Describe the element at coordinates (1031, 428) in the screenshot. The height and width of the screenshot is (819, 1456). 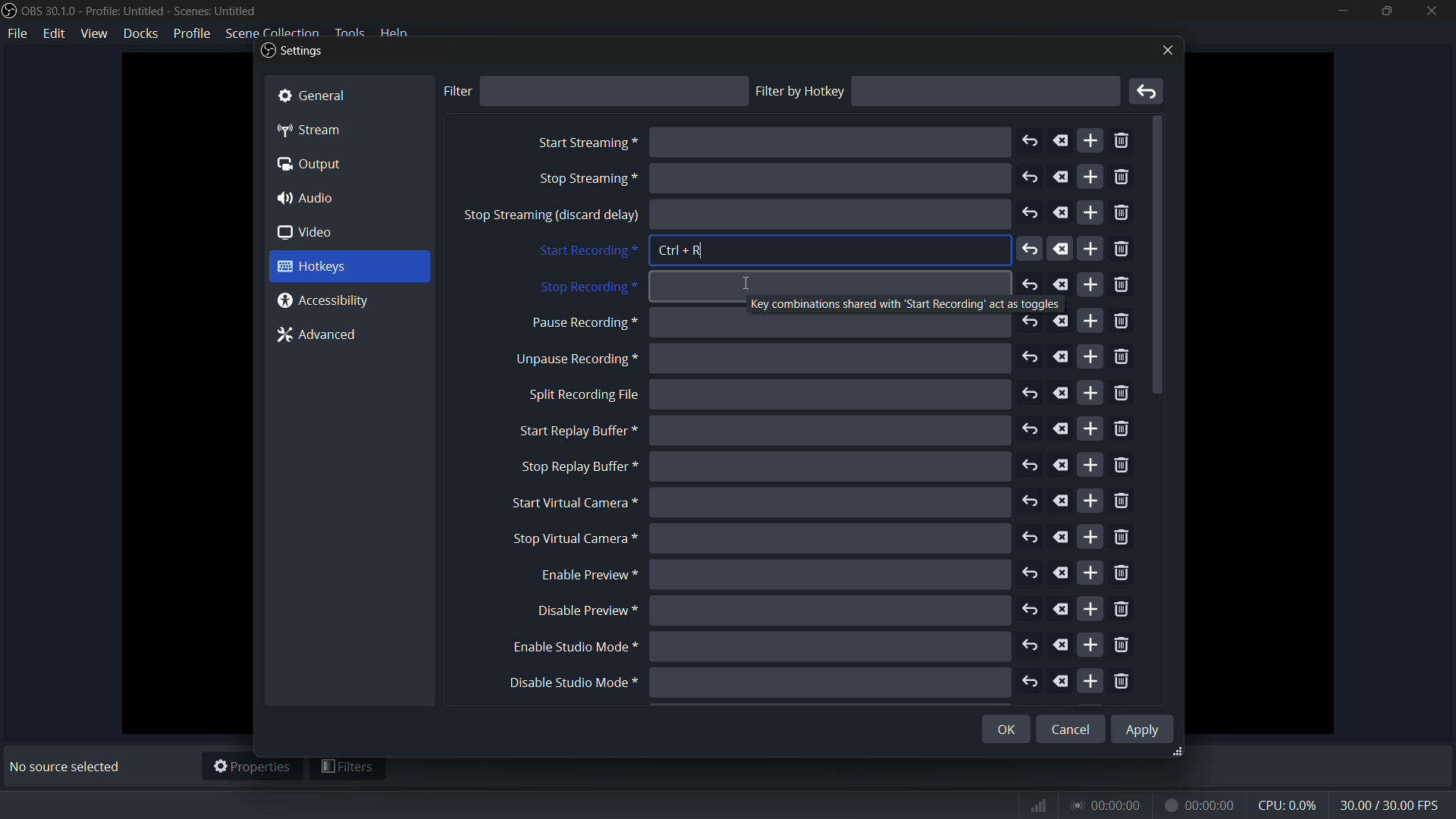
I see `undo` at that location.